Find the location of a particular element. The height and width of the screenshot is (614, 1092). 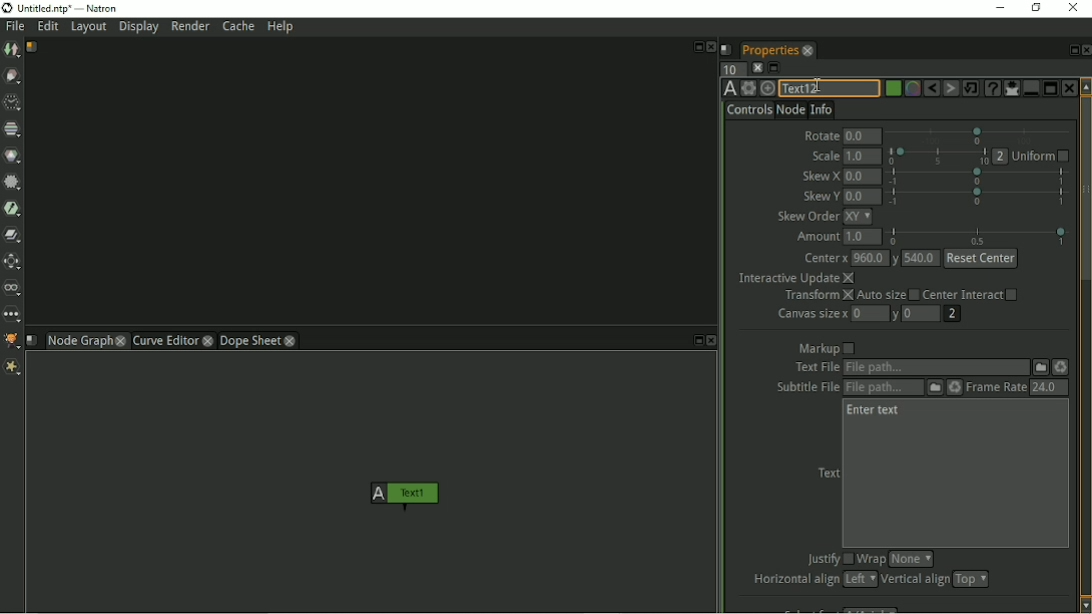

Centers the node is located at coordinates (767, 88).